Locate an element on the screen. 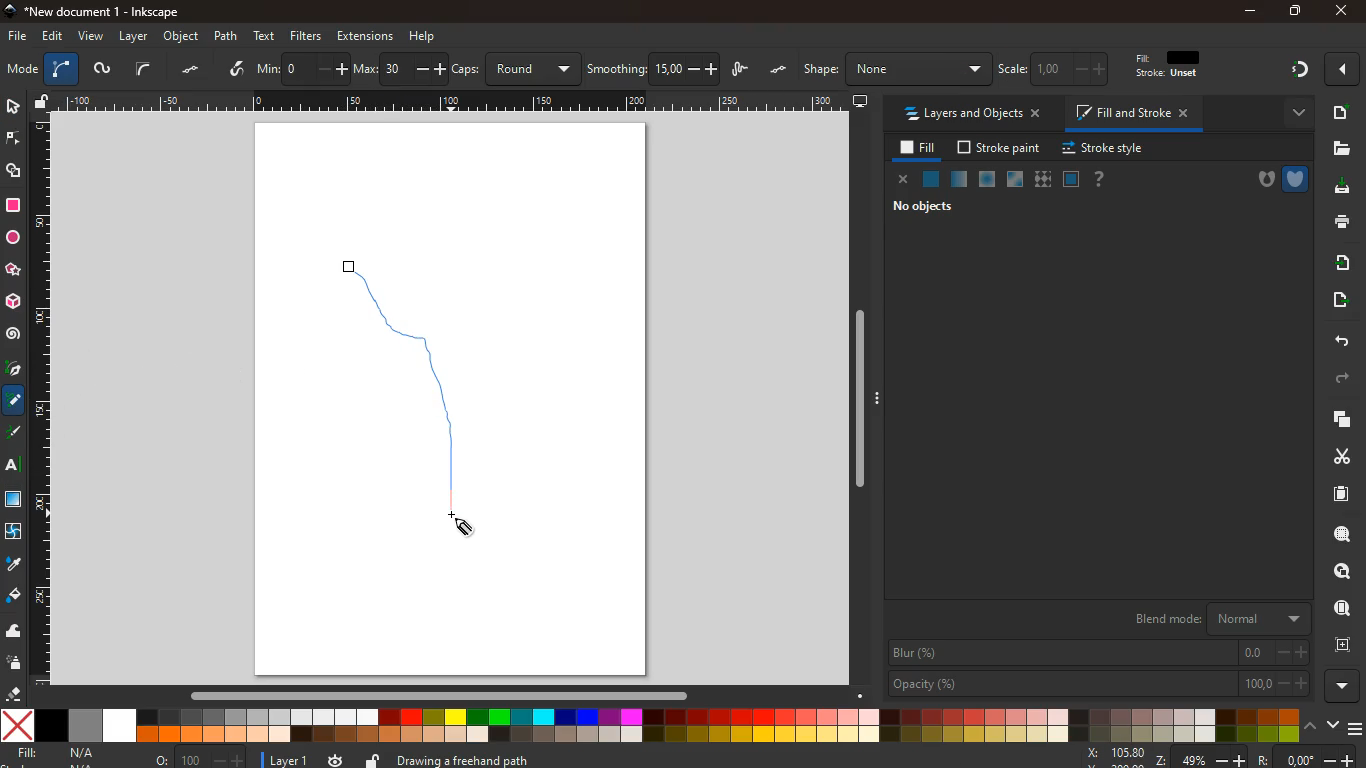  pencil tool is located at coordinates (16, 434).